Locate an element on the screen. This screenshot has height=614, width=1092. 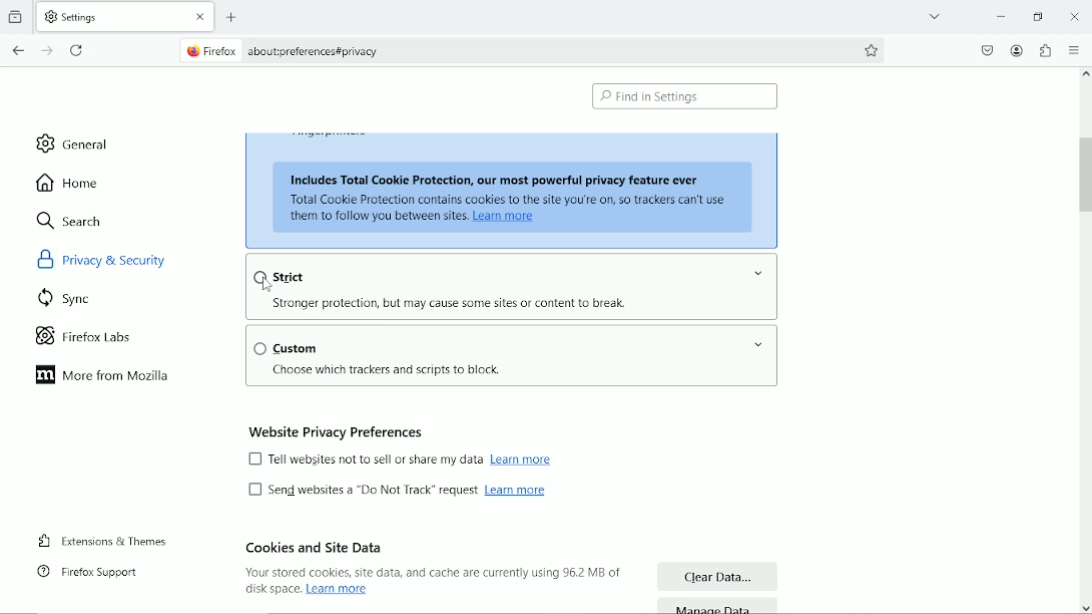
minimize is located at coordinates (1002, 15).